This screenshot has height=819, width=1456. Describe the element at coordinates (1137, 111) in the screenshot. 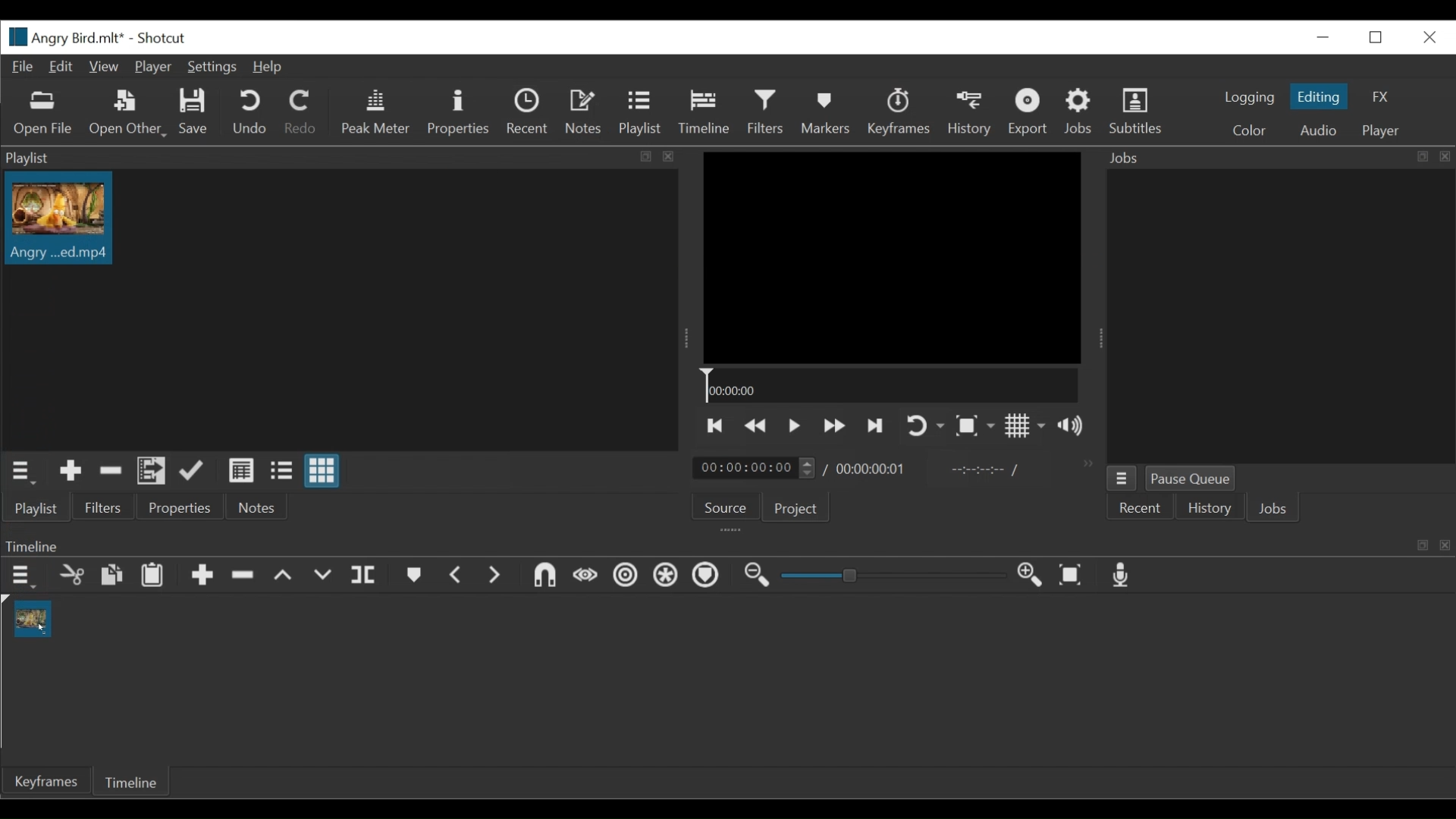

I see `Subtitles` at that location.